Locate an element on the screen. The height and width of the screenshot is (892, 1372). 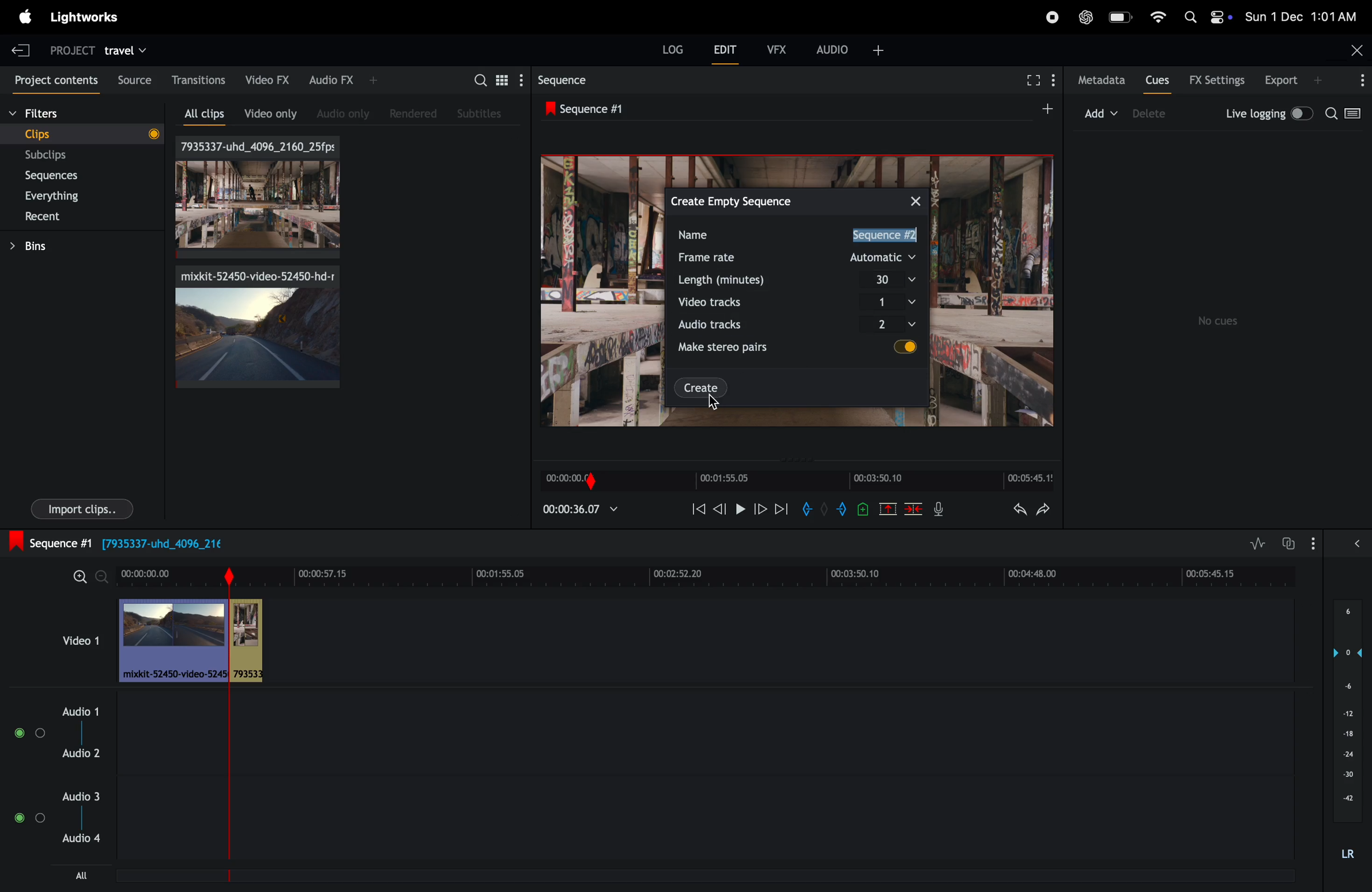
name is located at coordinates (708, 234).